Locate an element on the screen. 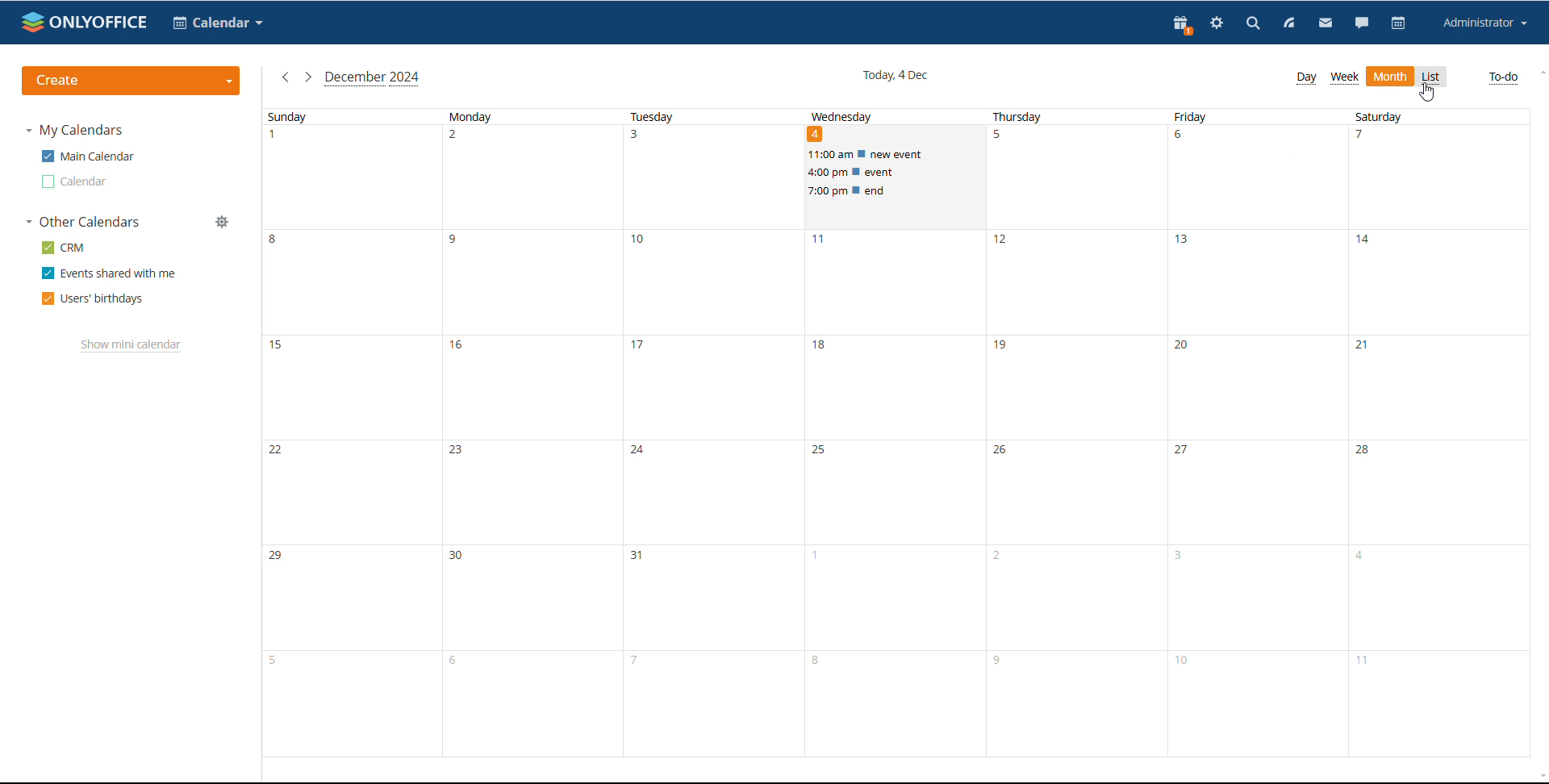 The width and height of the screenshot is (1549, 784). monday is located at coordinates (529, 434).